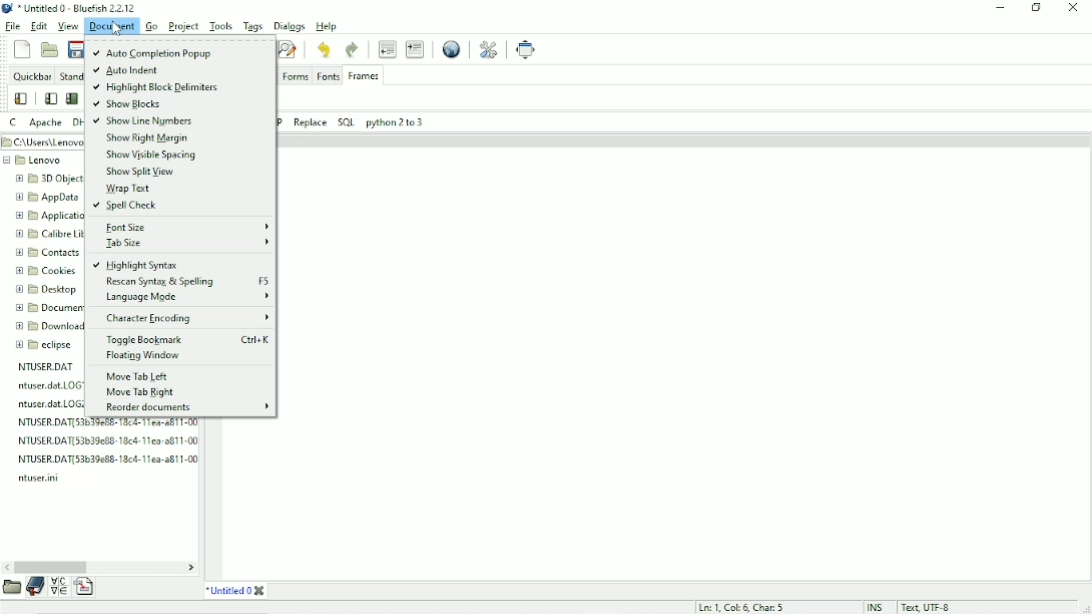 This screenshot has width=1092, height=614. I want to click on Move tab right, so click(141, 393).